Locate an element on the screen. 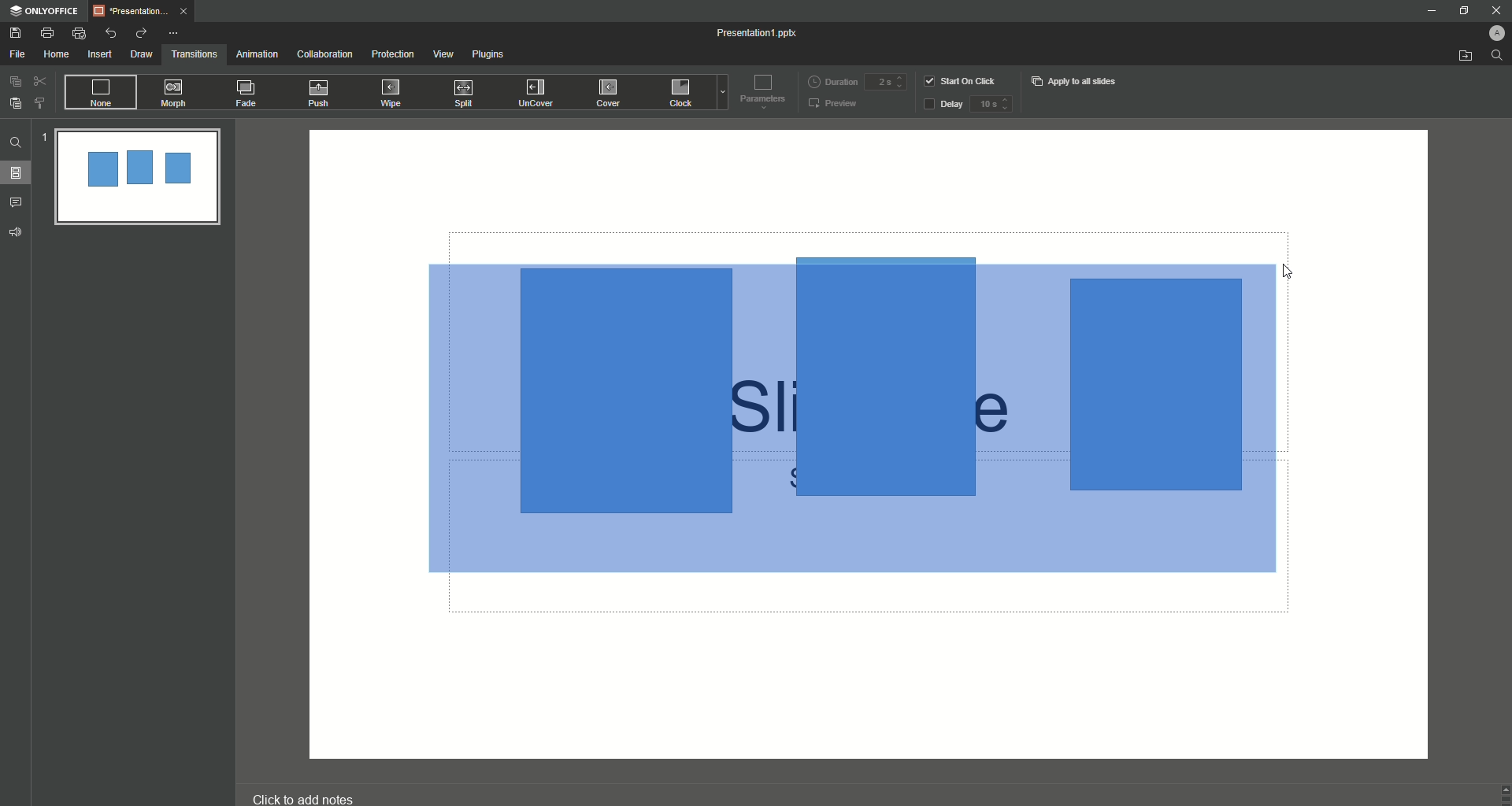 The height and width of the screenshot is (806, 1512). Draw is located at coordinates (142, 54).